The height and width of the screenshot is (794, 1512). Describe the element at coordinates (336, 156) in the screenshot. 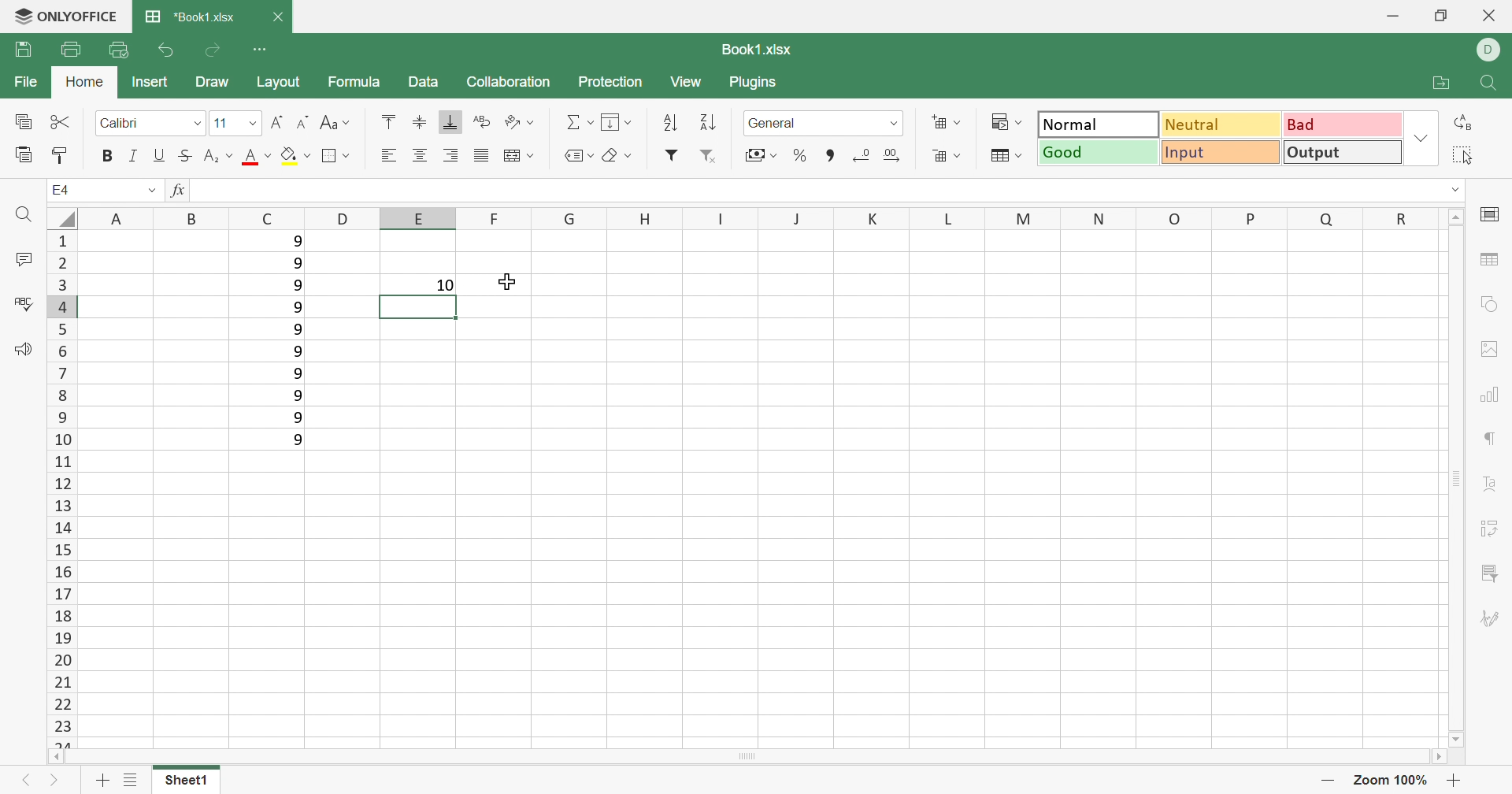

I see `Borders` at that location.